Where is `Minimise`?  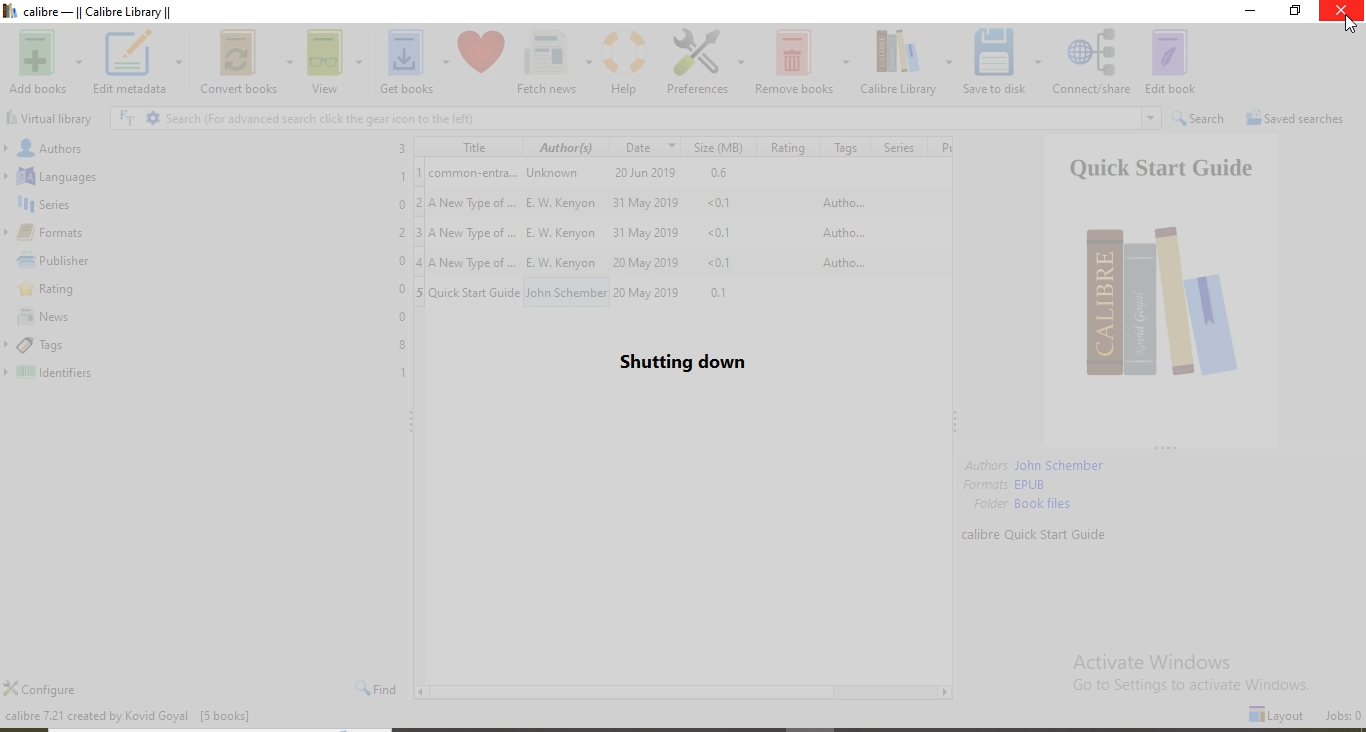 Minimise is located at coordinates (1253, 10).